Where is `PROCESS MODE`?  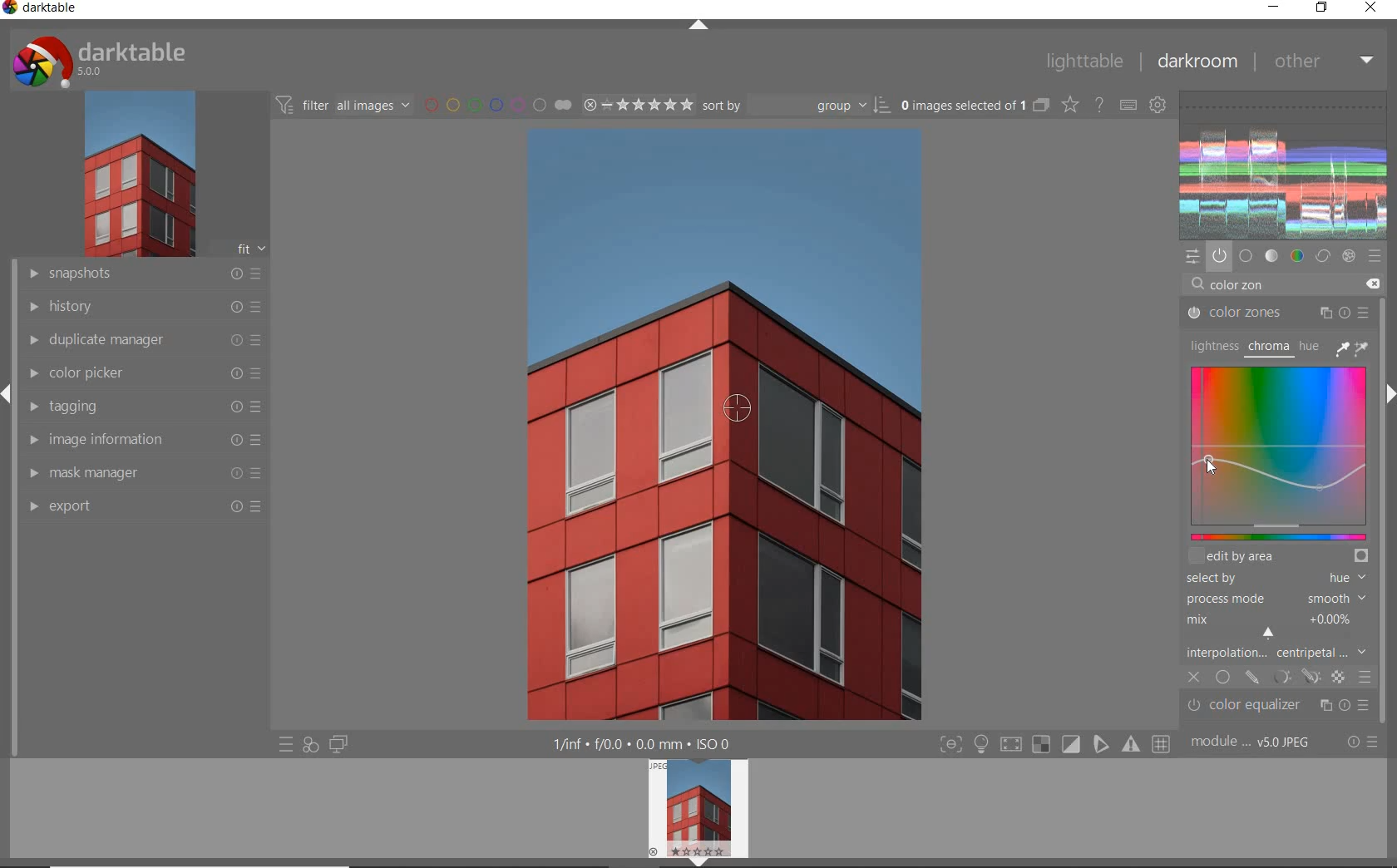
PROCESS MODE is located at coordinates (1274, 598).